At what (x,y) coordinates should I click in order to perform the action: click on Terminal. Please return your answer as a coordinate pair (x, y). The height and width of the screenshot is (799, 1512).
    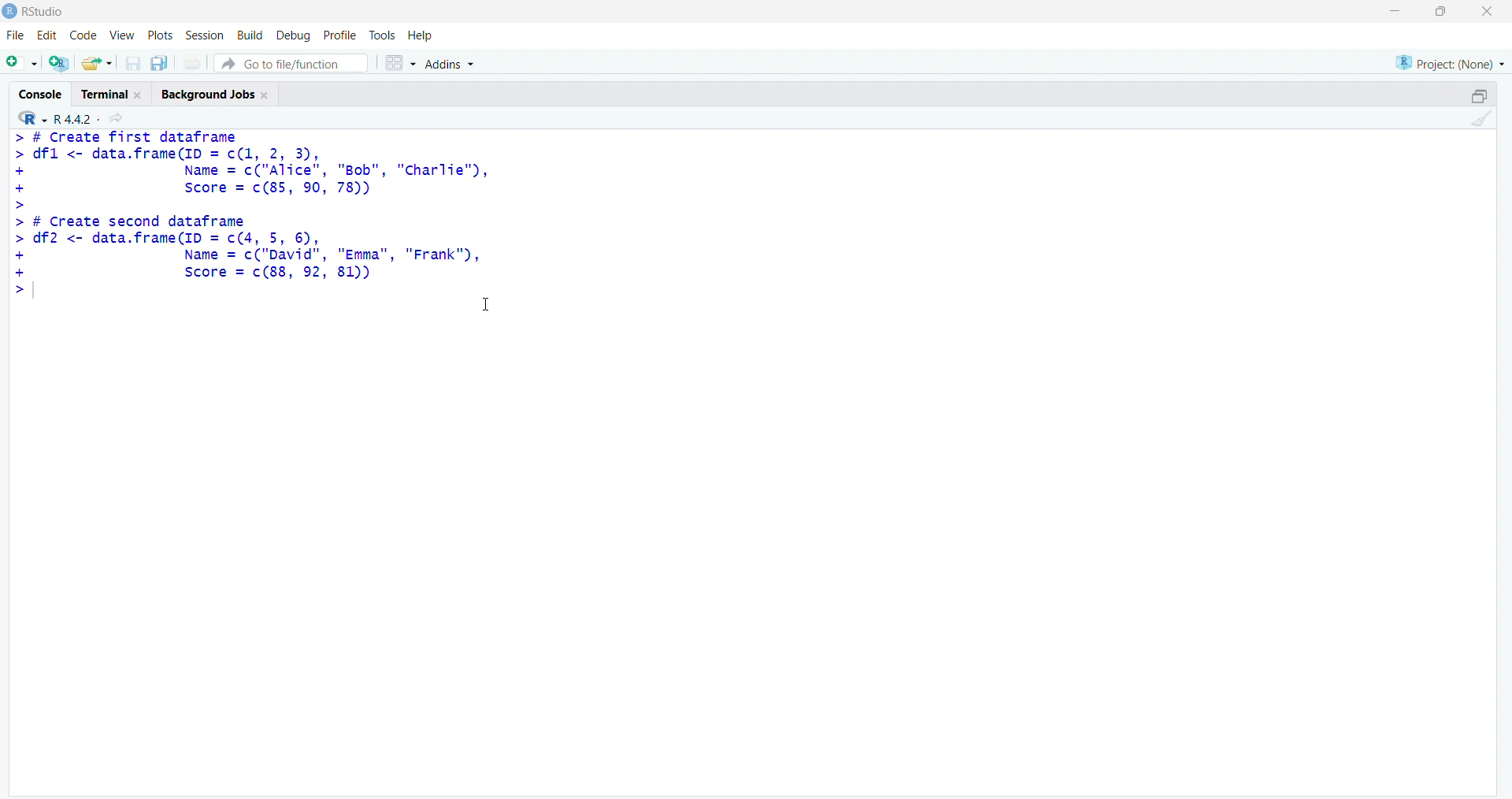
    Looking at the image, I should click on (112, 93).